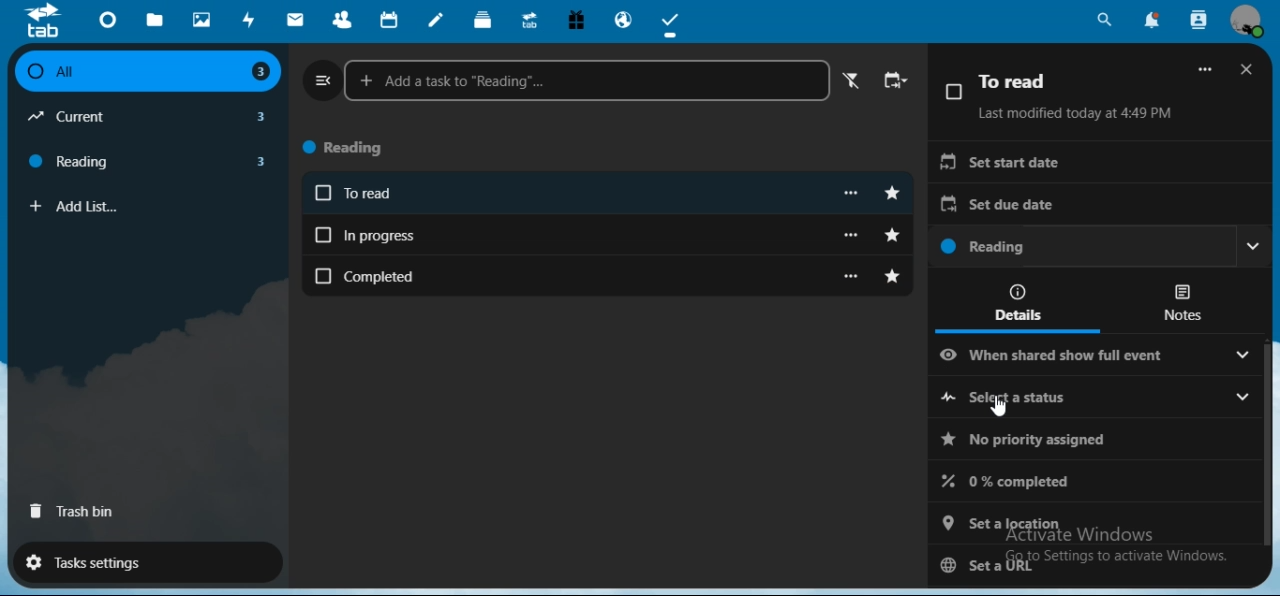 This screenshot has width=1280, height=596. Describe the element at coordinates (1094, 480) in the screenshot. I see `0 % completed` at that location.